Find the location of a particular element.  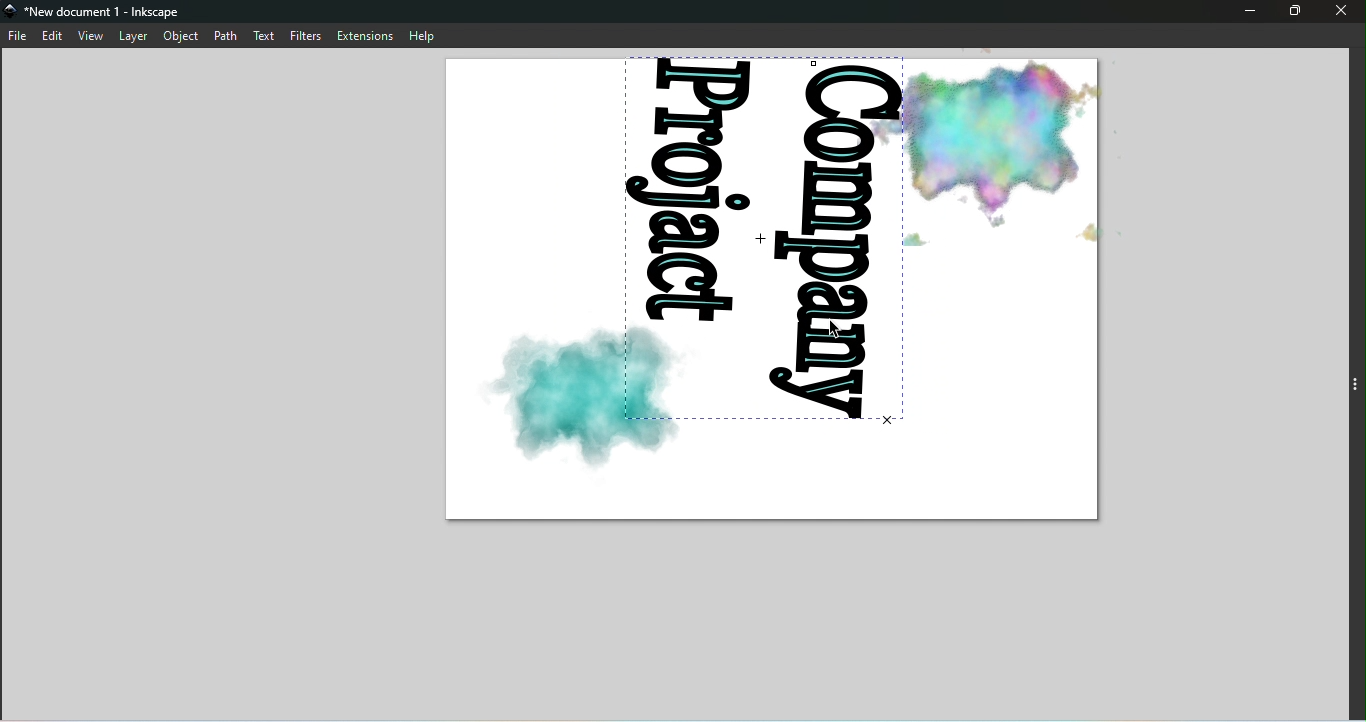

Path is located at coordinates (225, 35).